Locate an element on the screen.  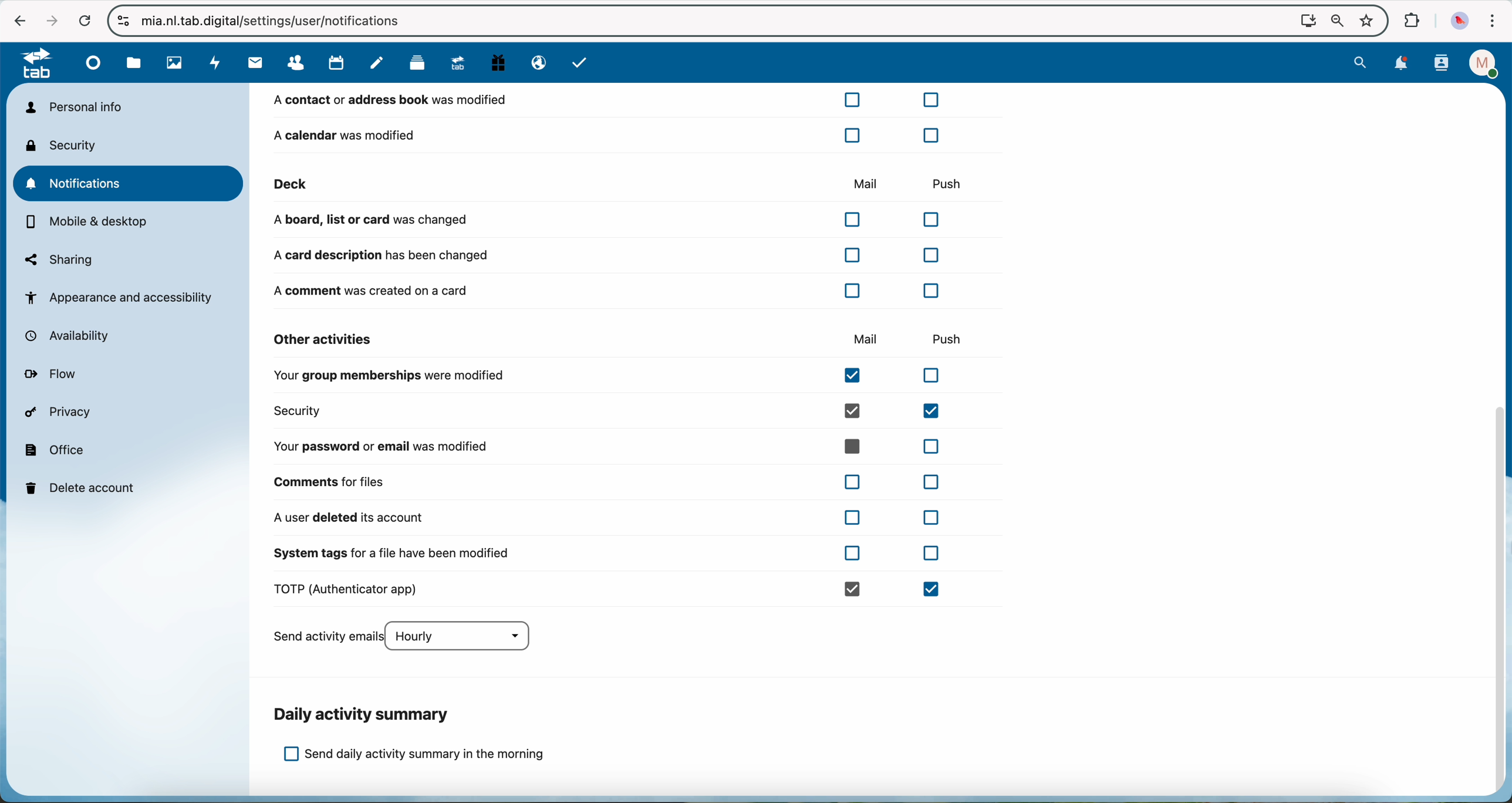
comments for files is located at coordinates (612, 481).